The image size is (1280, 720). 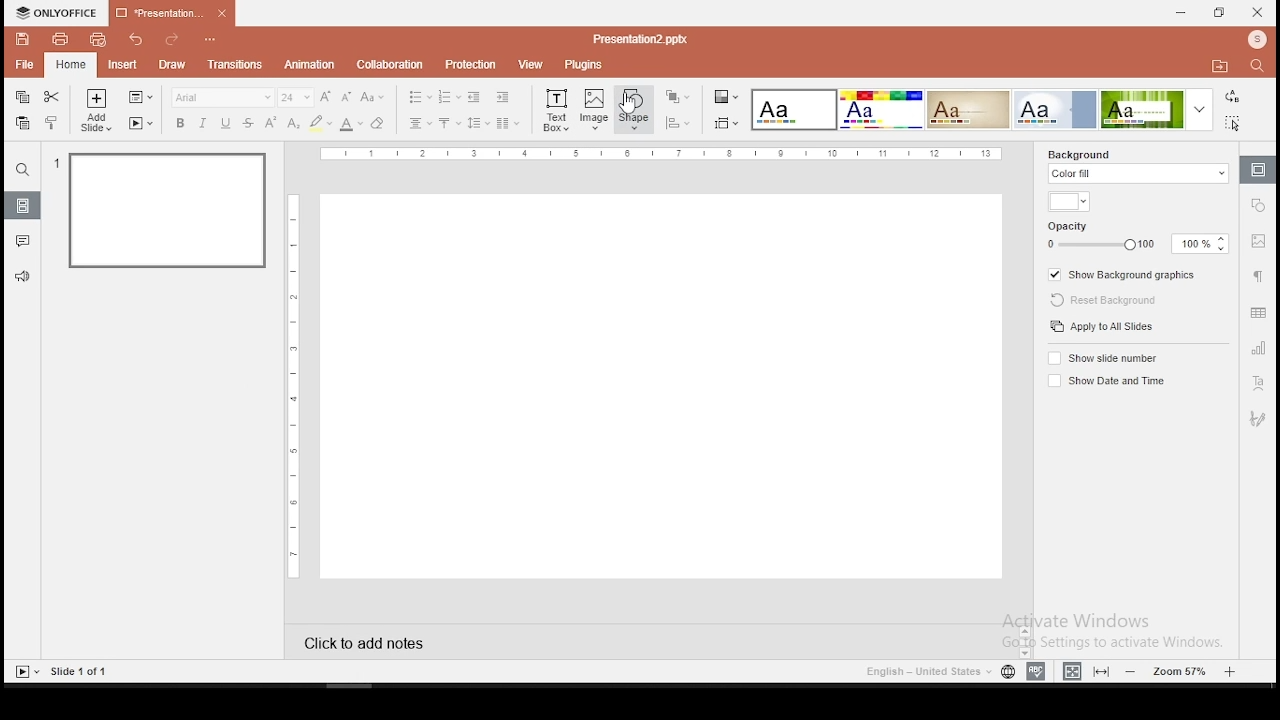 I want to click on slide settings, so click(x=1256, y=170).